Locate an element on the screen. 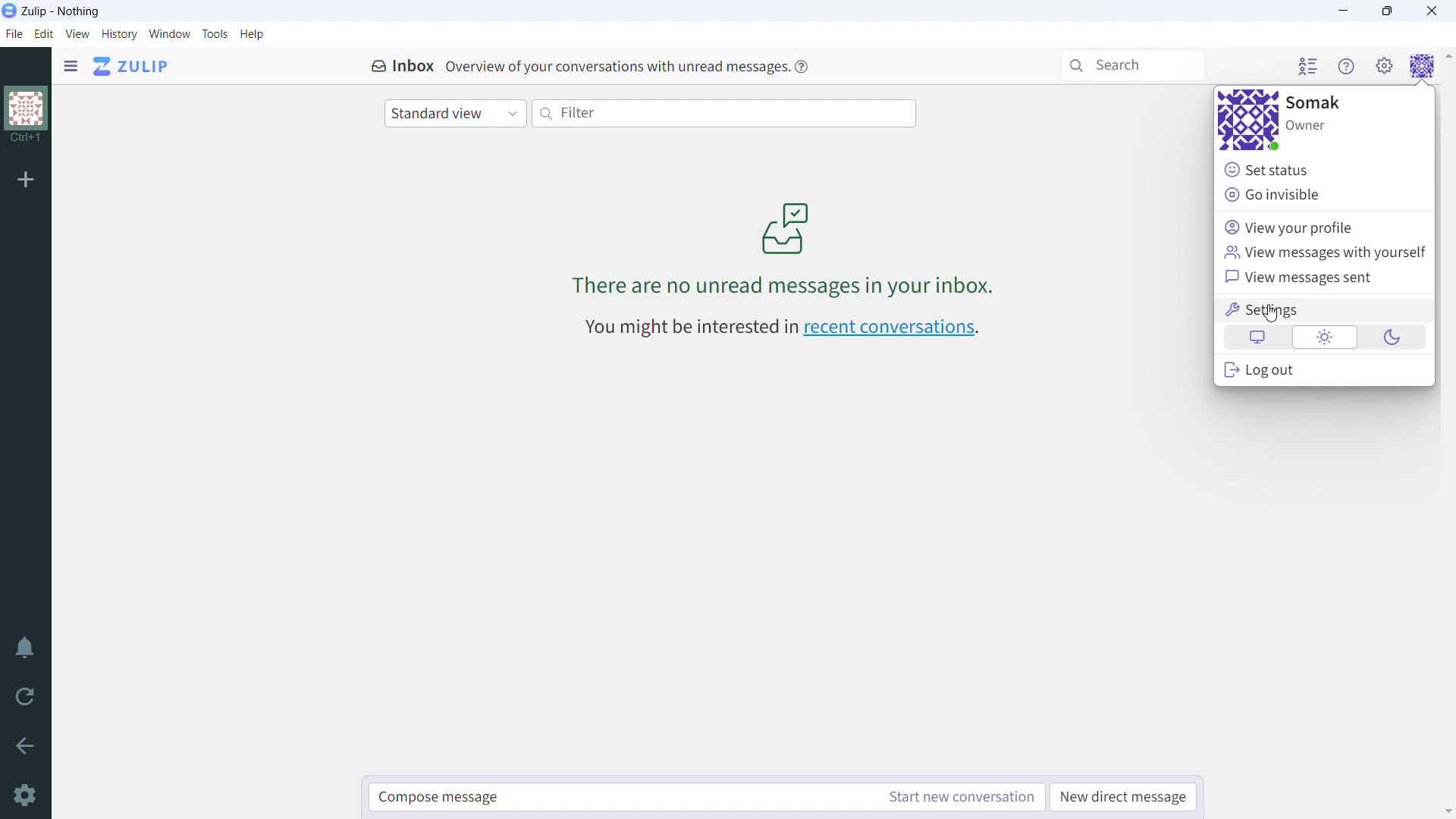  help menu is located at coordinates (1348, 67).